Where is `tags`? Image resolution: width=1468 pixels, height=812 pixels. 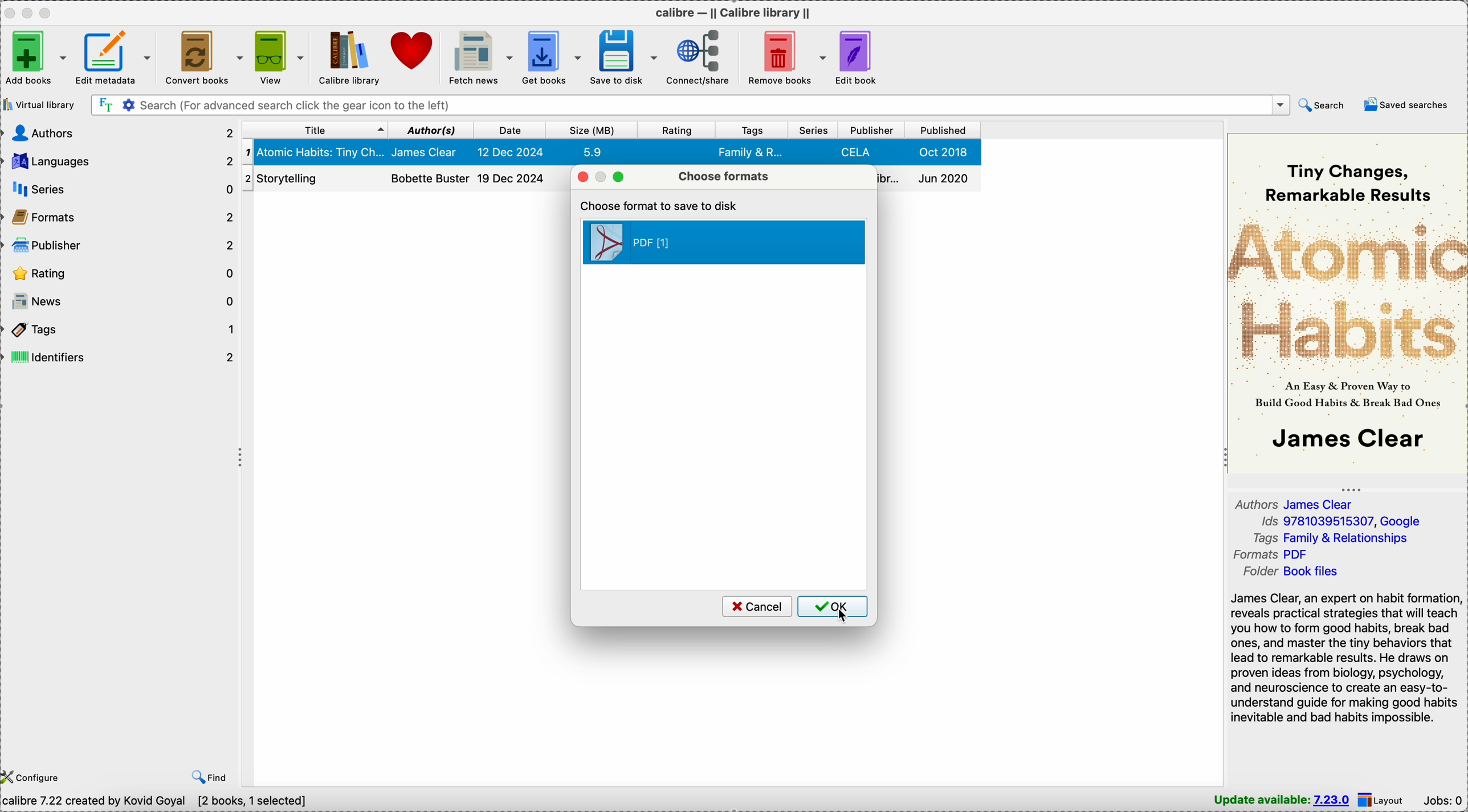
tags is located at coordinates (753, 129).